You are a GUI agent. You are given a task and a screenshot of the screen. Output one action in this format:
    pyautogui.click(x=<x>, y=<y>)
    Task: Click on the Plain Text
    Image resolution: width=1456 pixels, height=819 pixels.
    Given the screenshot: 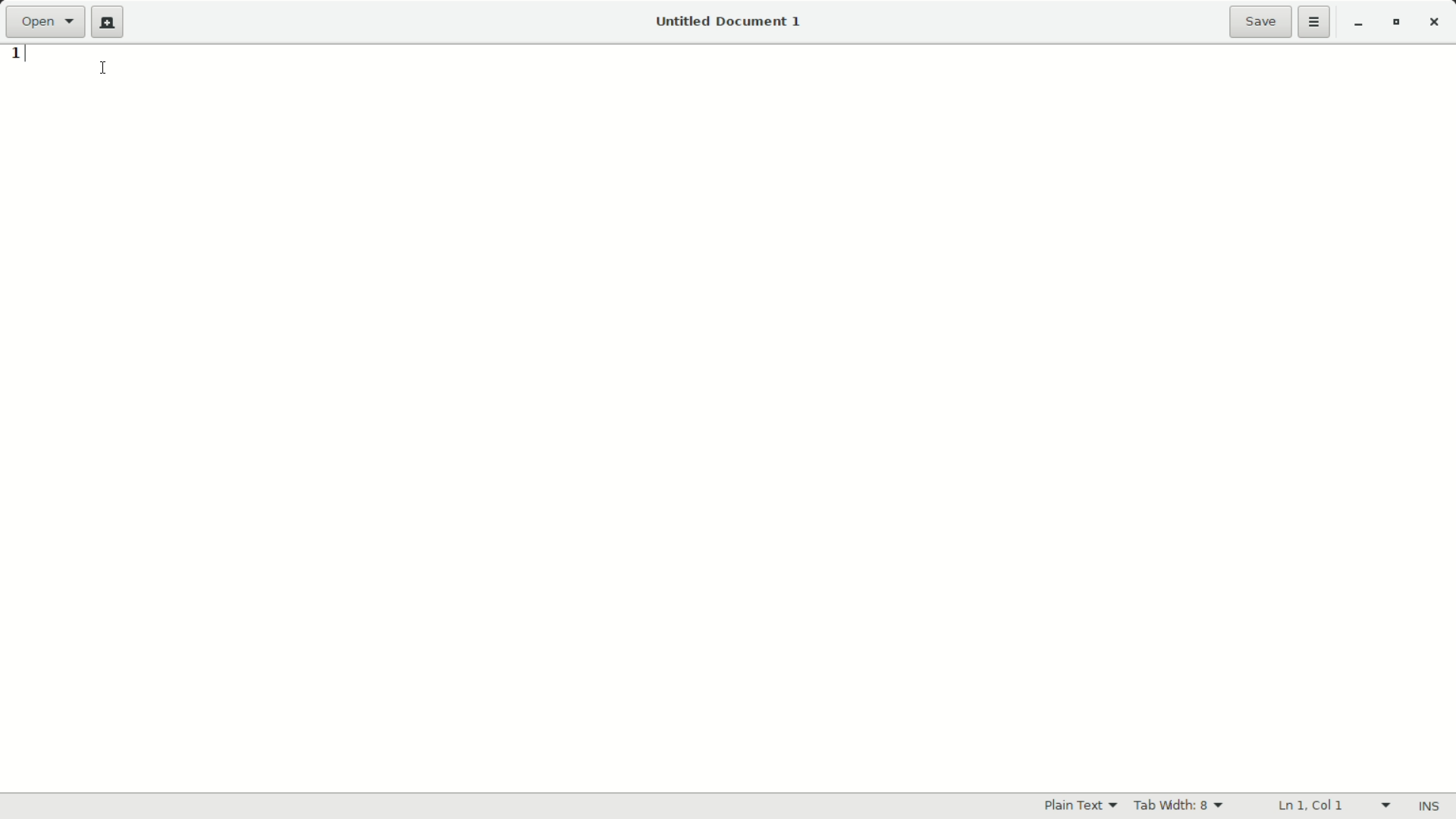 What is the action you would take?
    pyautogui.click(x=1081, y=806)
    